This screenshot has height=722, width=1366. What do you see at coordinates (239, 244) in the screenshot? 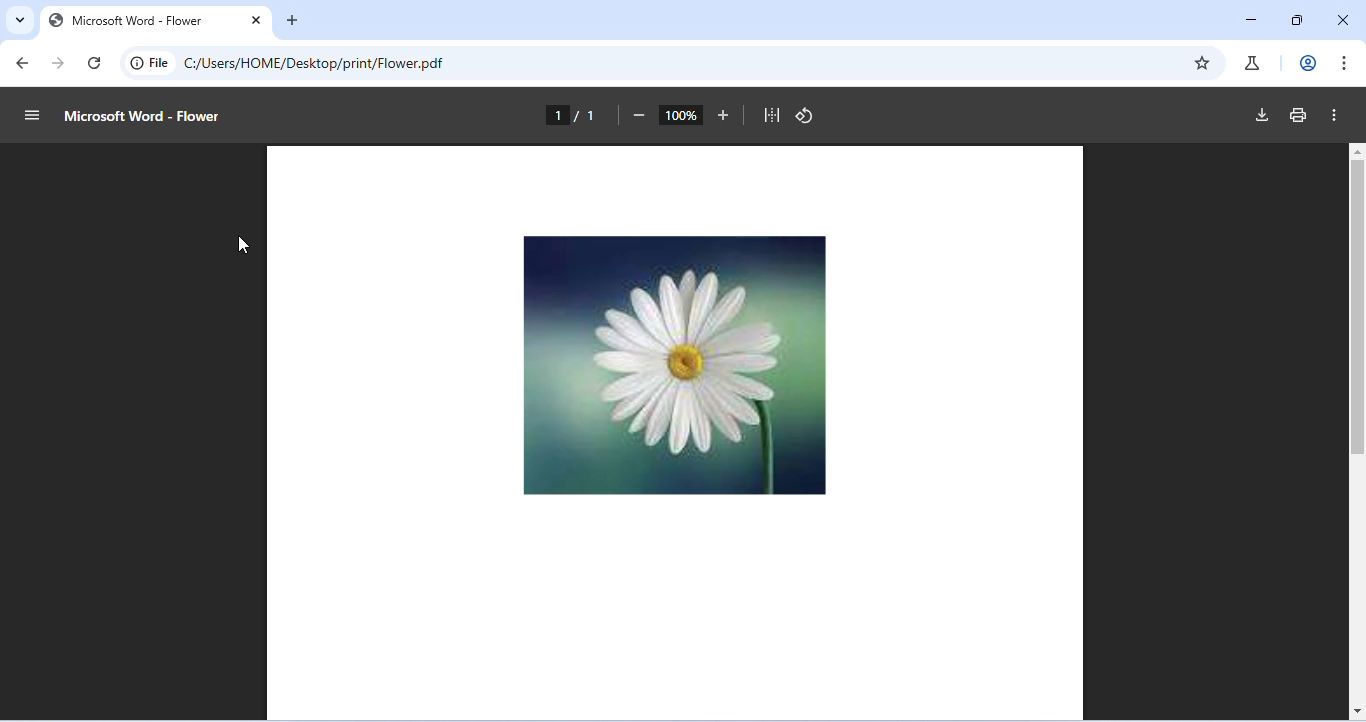
I see `cursor` at bounding box center [239, 244].